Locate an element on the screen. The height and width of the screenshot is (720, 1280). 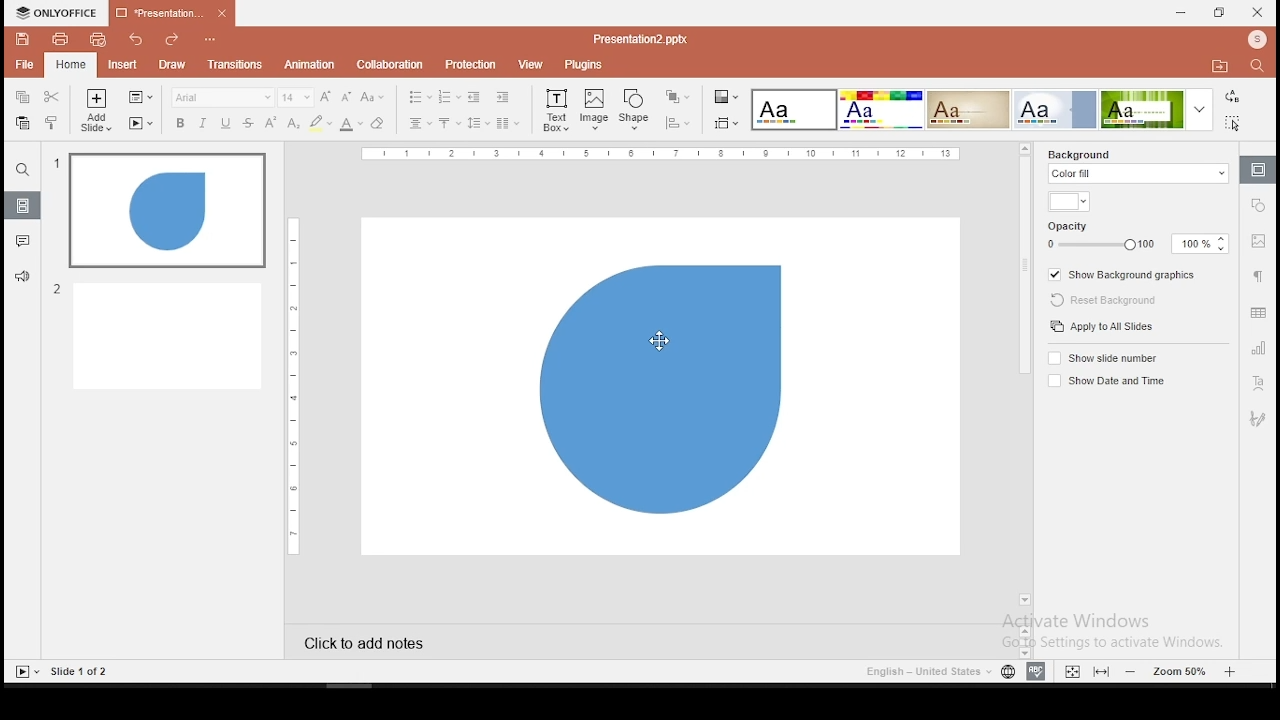
eraser tool is located at coordinates (378, 123).